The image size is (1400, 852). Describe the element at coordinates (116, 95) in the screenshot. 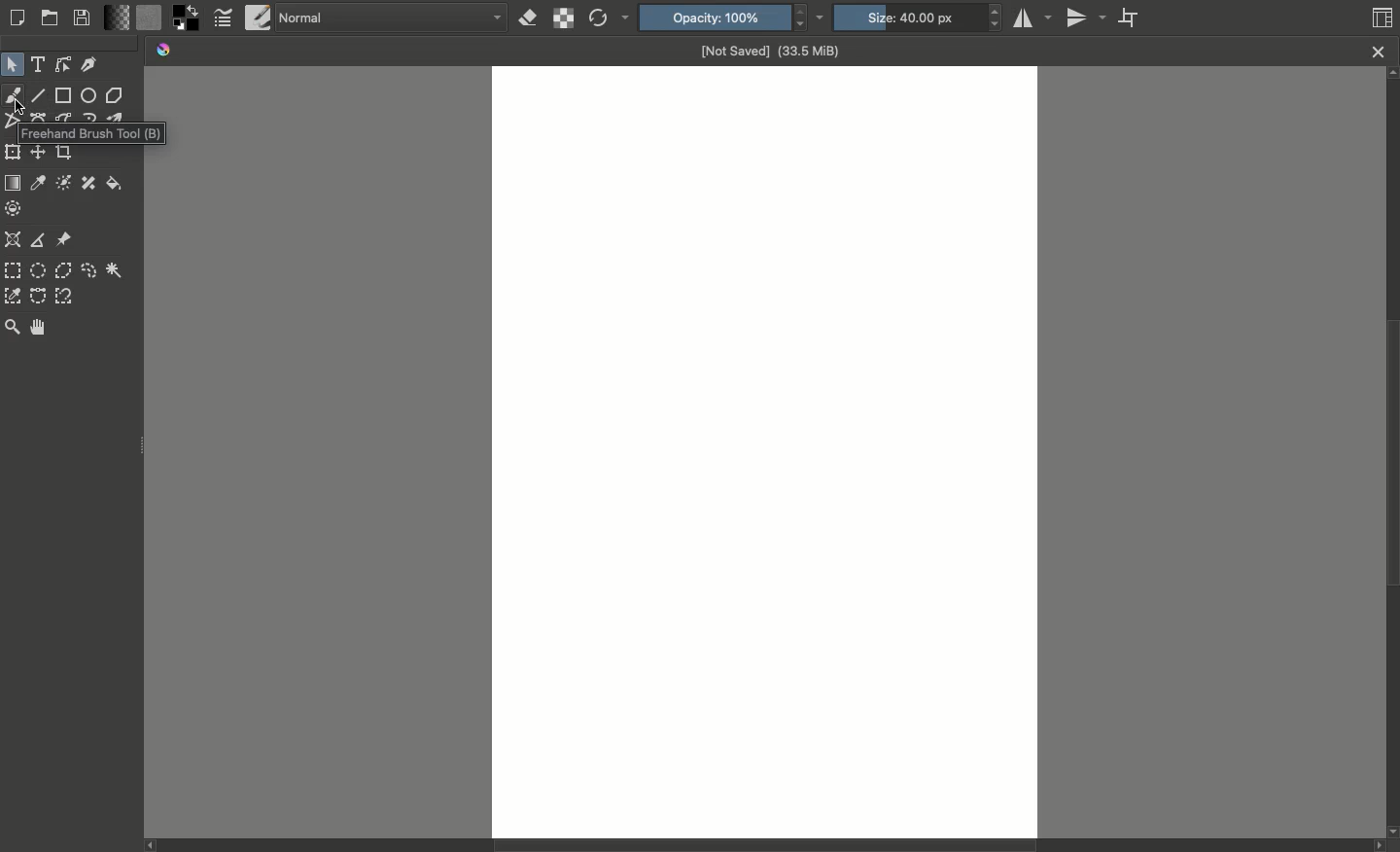

I see `Polygon tool` at that location.